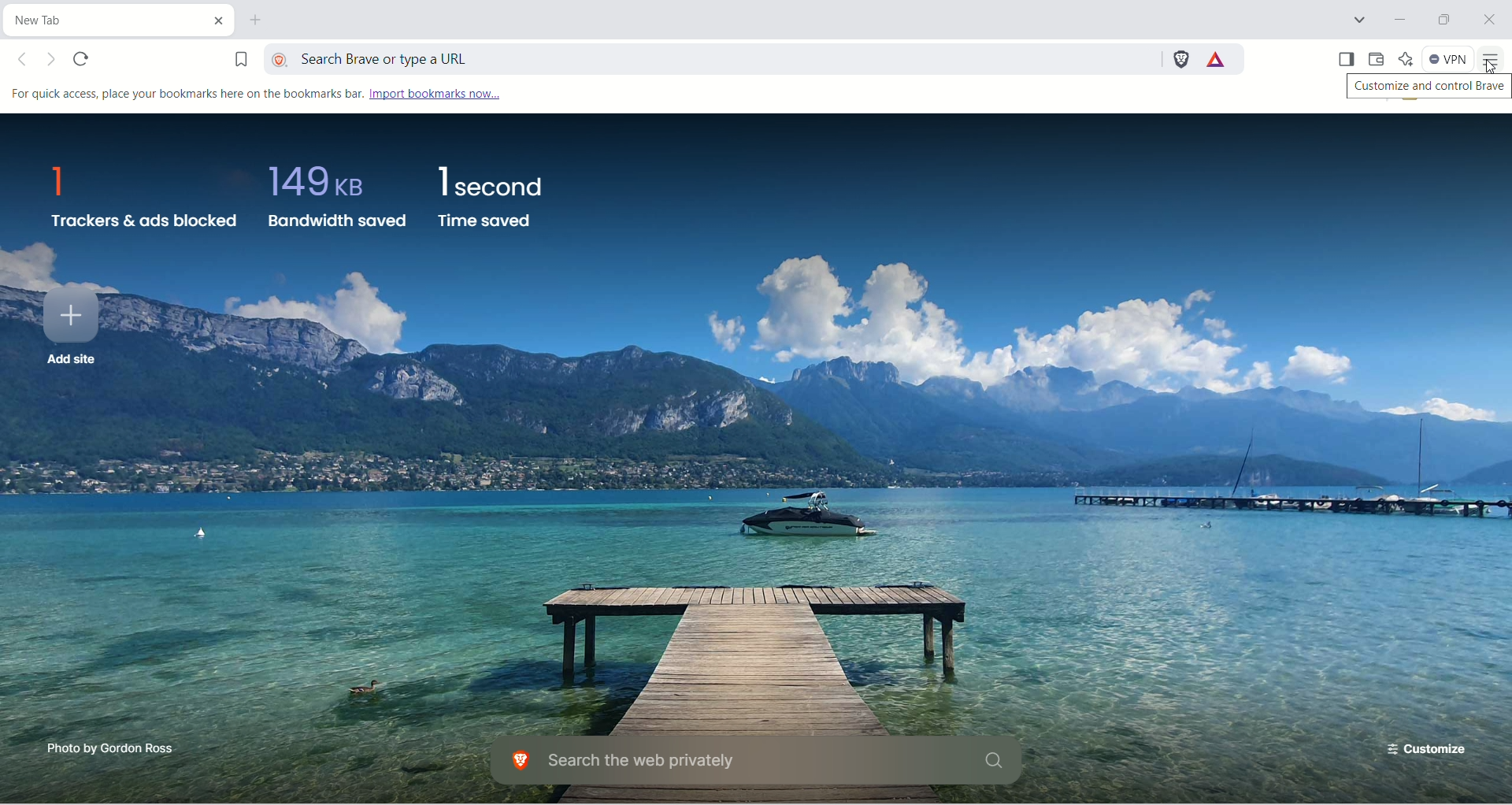 The image size is (1512, 805). I want to click on rewards, so click(1217, 58).